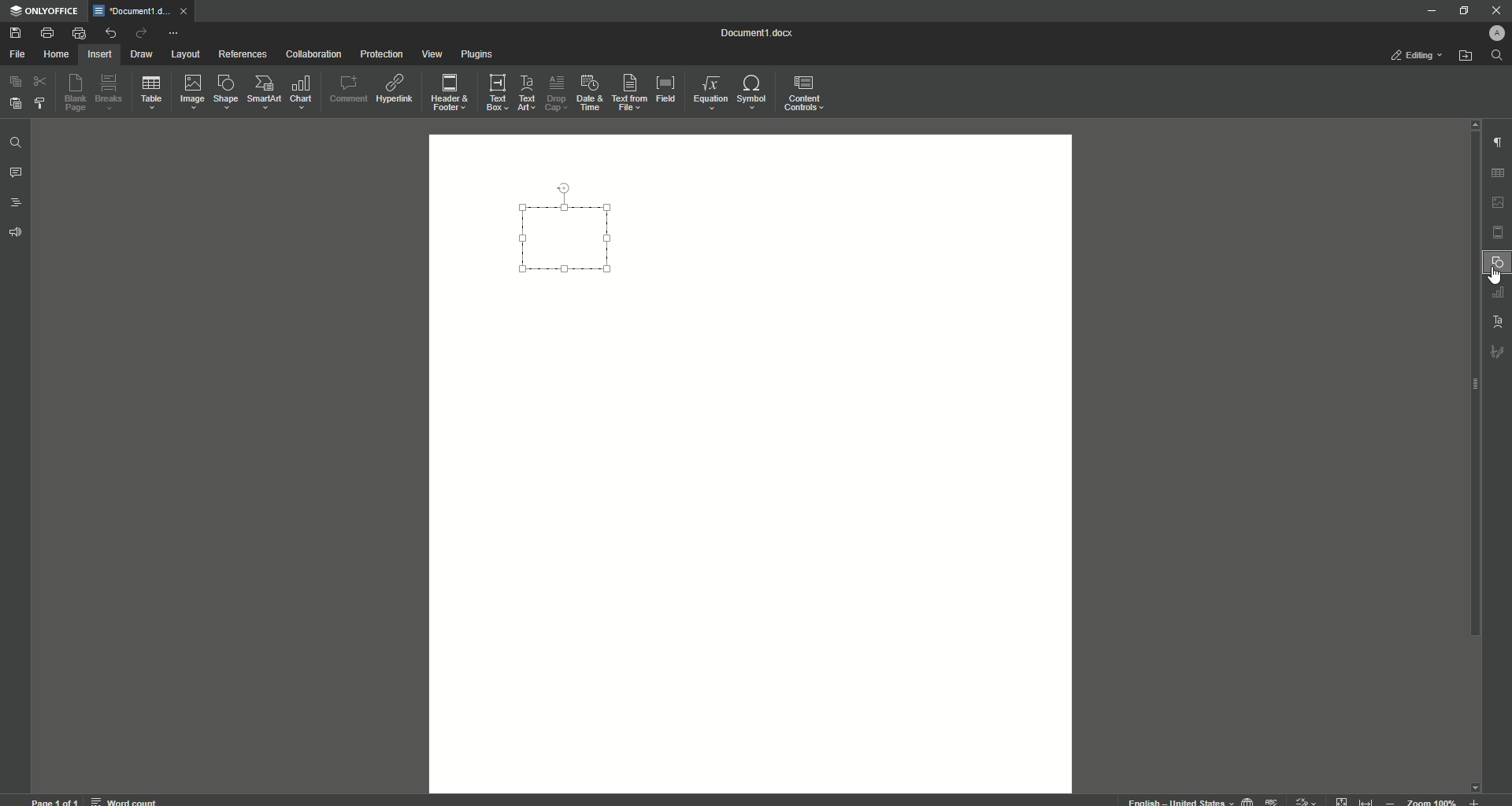 This screenshot has width=1512, height=806. What do you see at coordinates (14, 102) in the screenshot?
I see `Paste` at bounding box center [14, 102].